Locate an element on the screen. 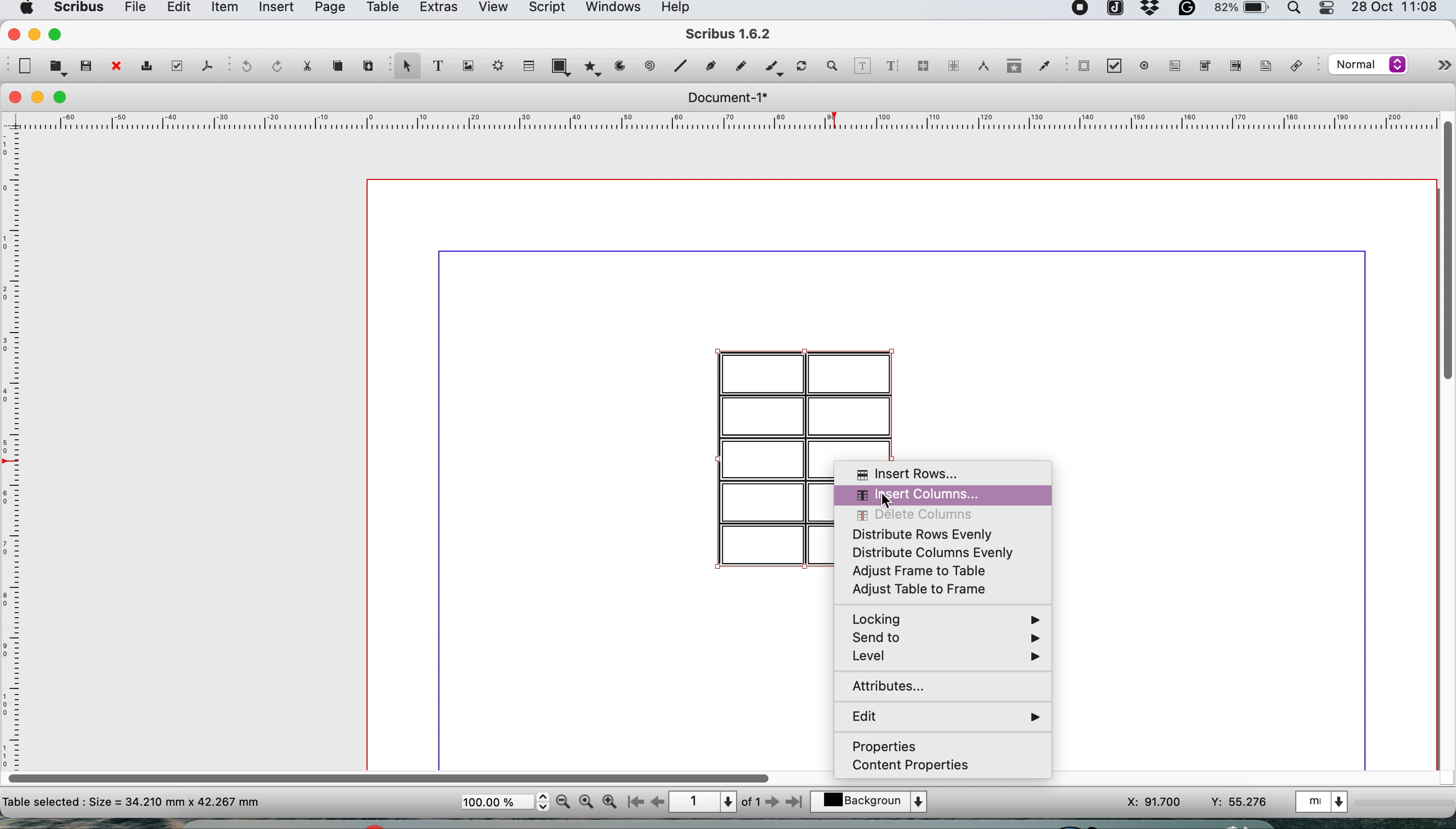  pdf radio button is located at coordinates (1145, 65).